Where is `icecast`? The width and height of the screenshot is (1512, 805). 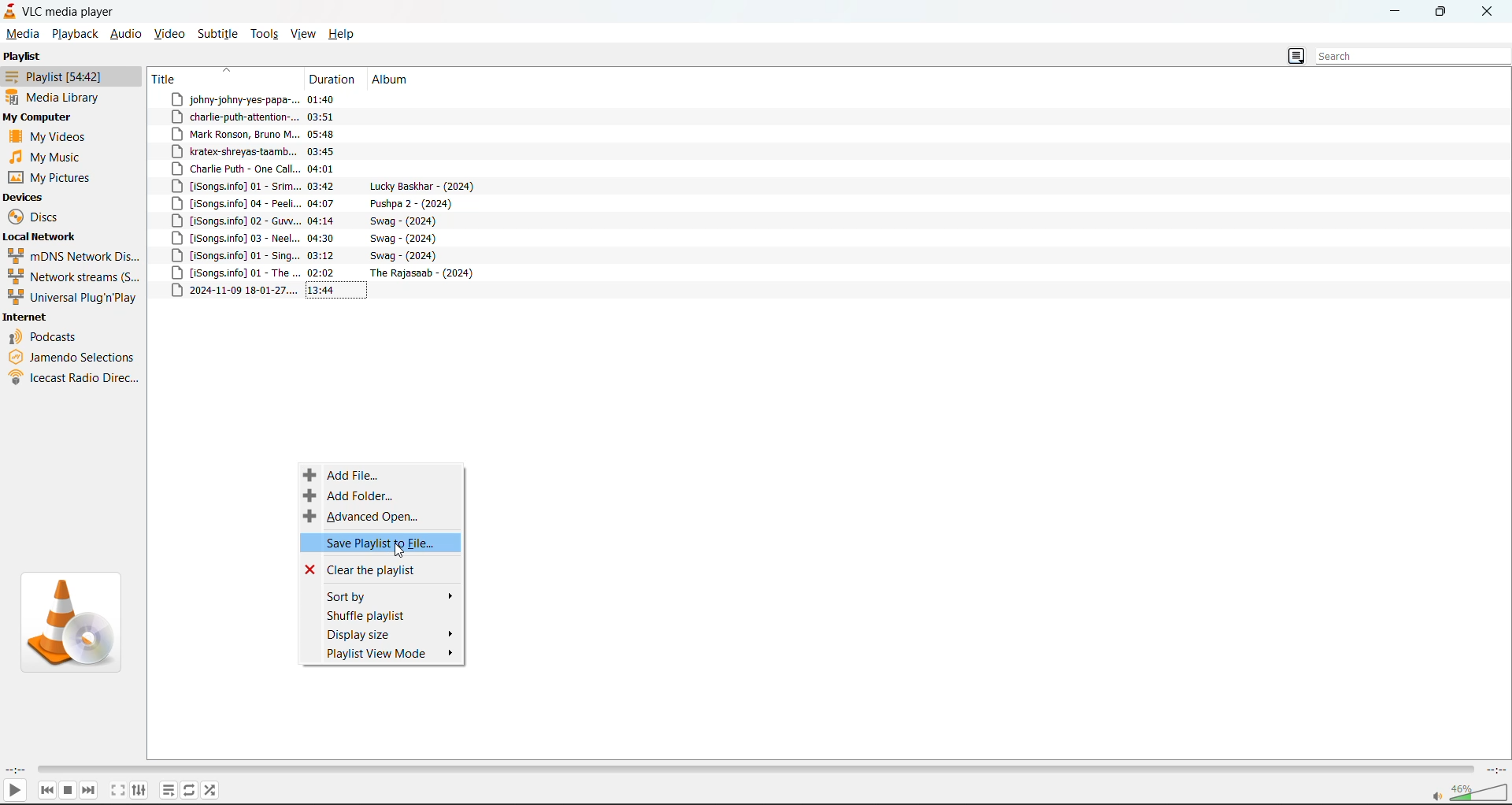
icecast is located at coordinates (72, 378).